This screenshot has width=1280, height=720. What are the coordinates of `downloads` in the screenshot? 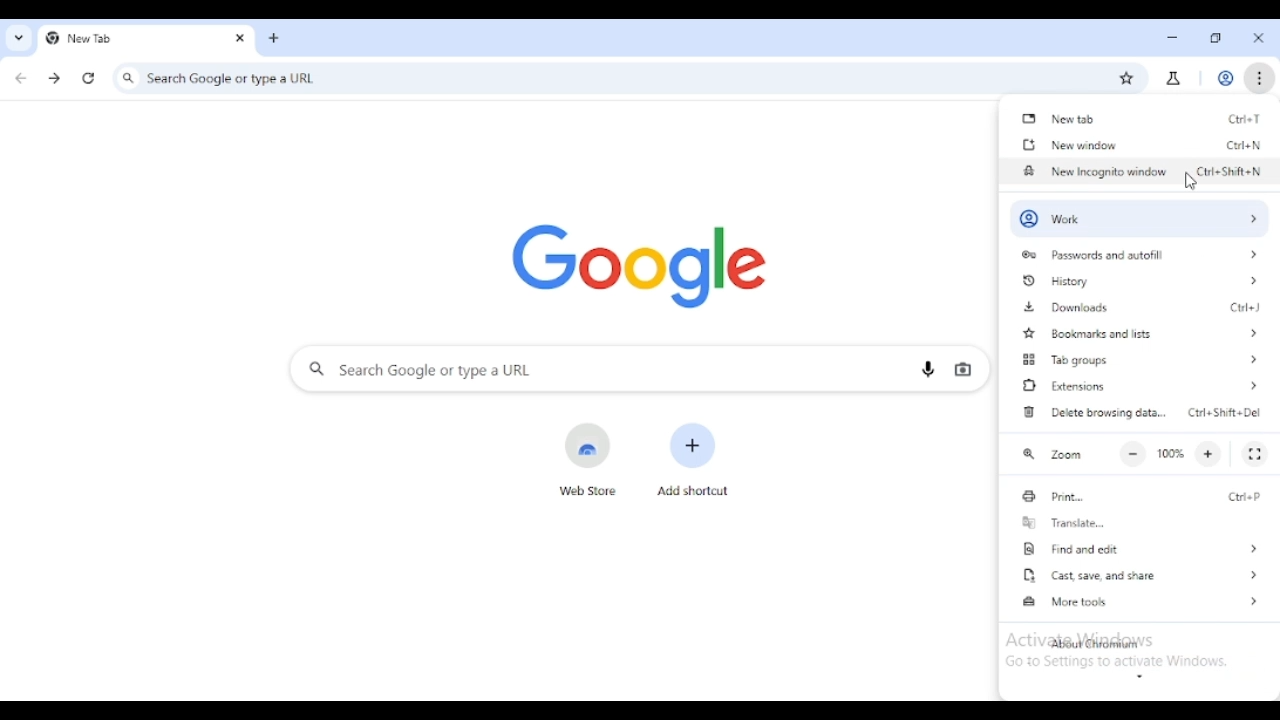 It's located at (1066, 308).